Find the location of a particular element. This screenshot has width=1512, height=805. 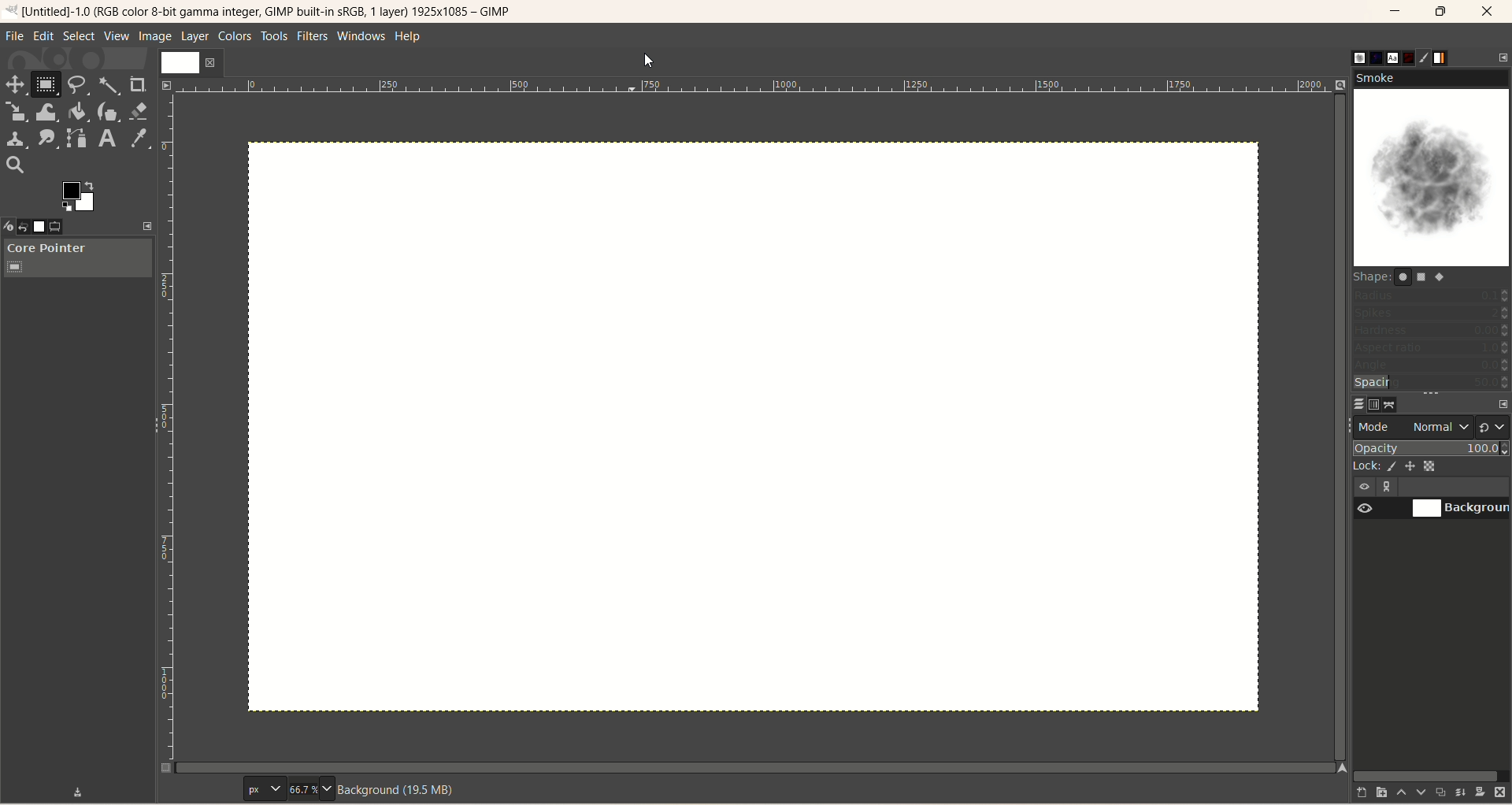

channel is located at coordinates (1370, 404).